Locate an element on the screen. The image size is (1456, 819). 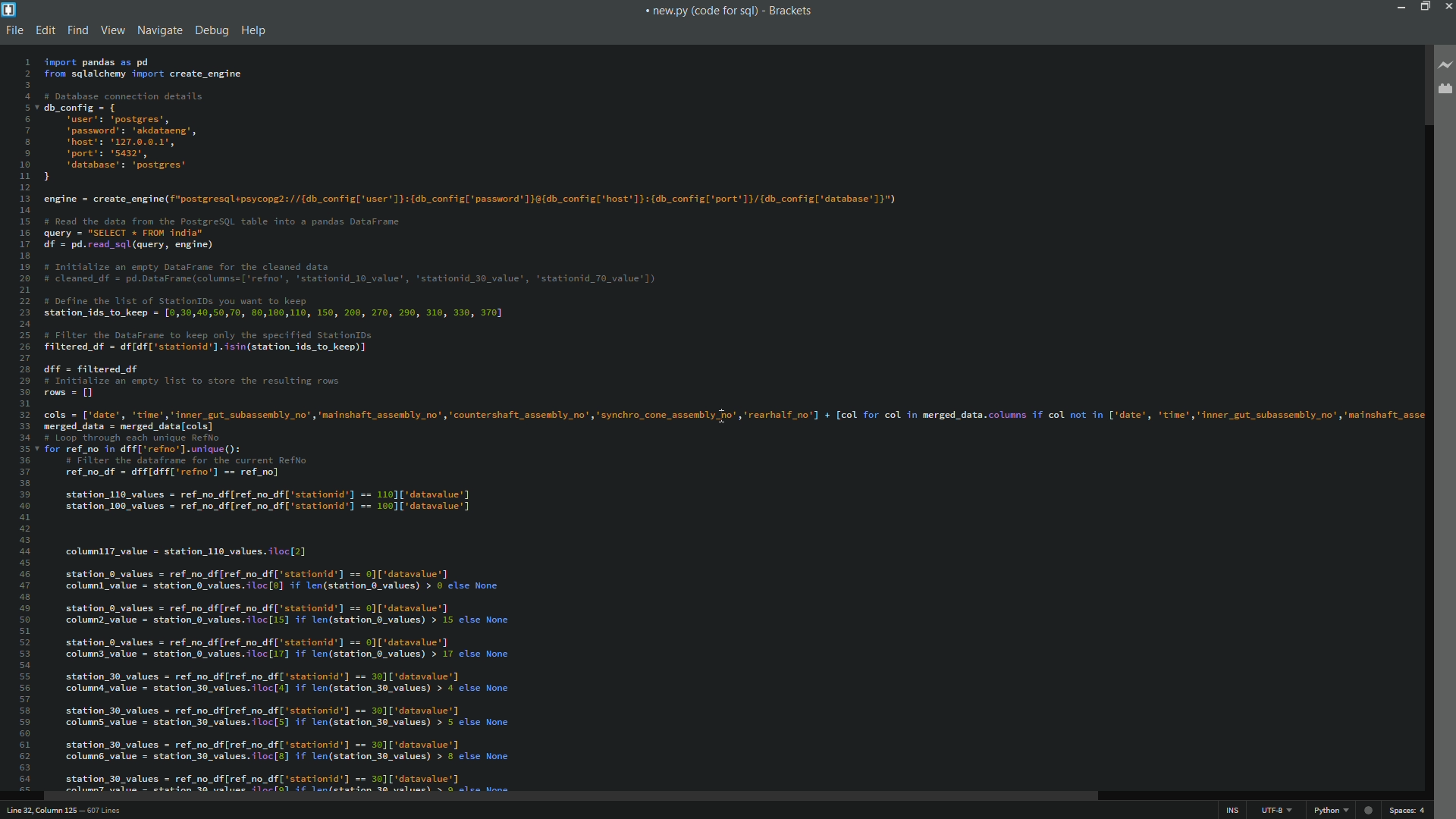
navigate menu is located at coordinates (158, 31).